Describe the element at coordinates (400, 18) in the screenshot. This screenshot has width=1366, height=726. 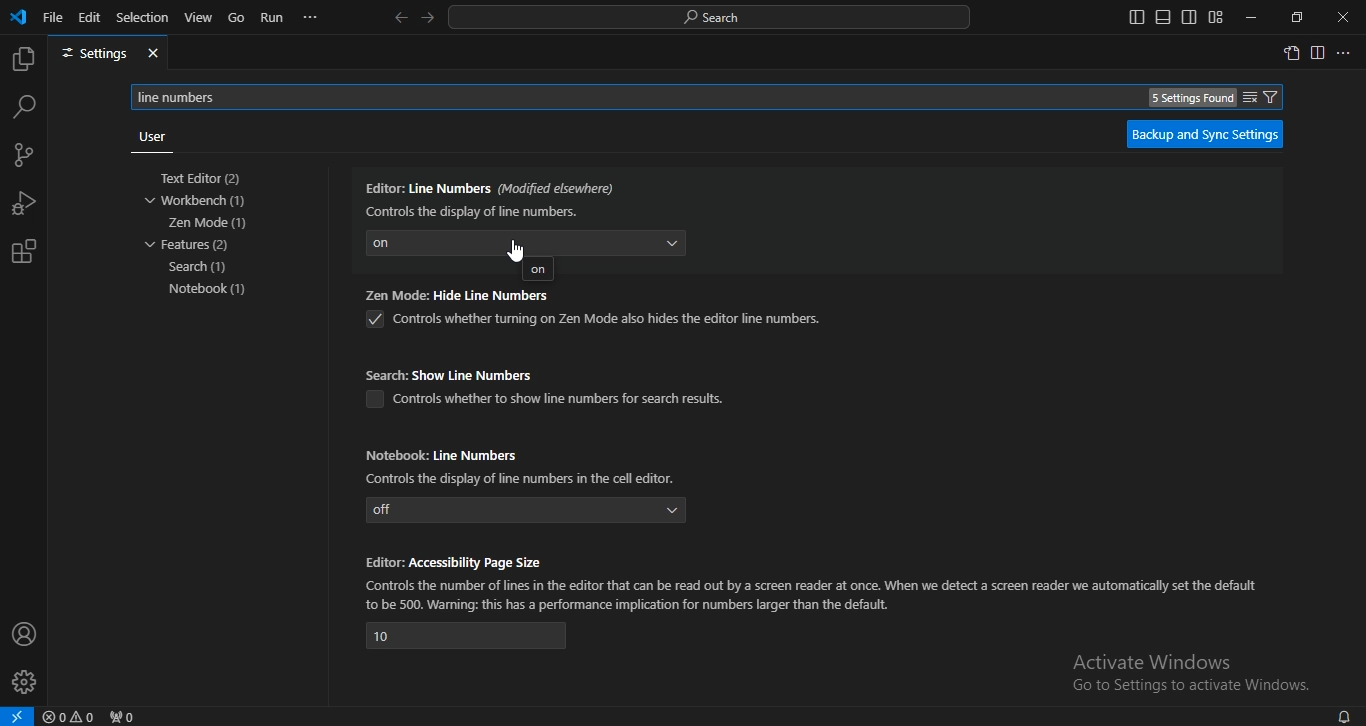
I see `go back` at that location.